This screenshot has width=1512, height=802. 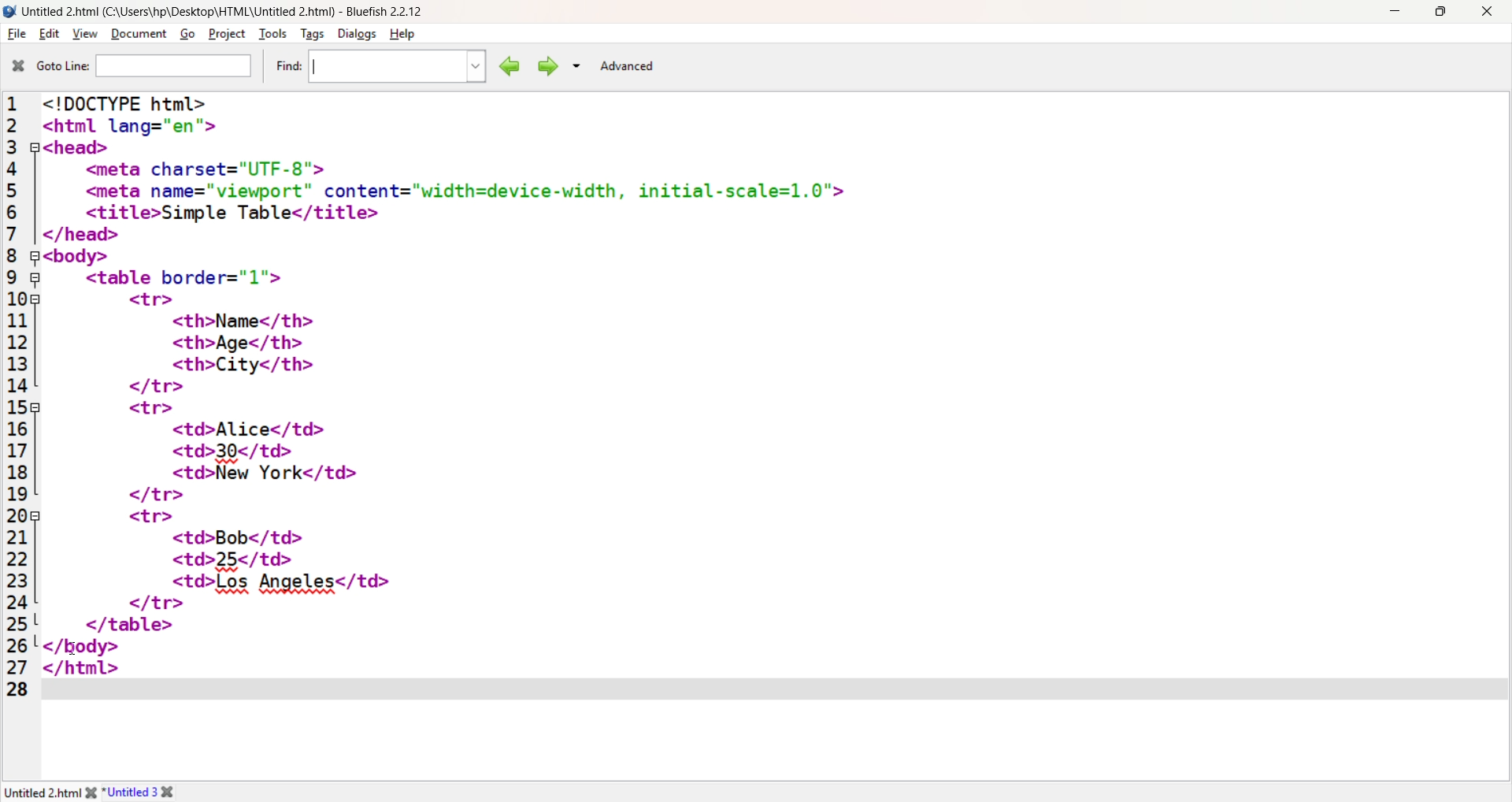 What do you see at coordinates (1486, 13) in the screenshot?
I see `Close` at bounding box center [1486, 13].